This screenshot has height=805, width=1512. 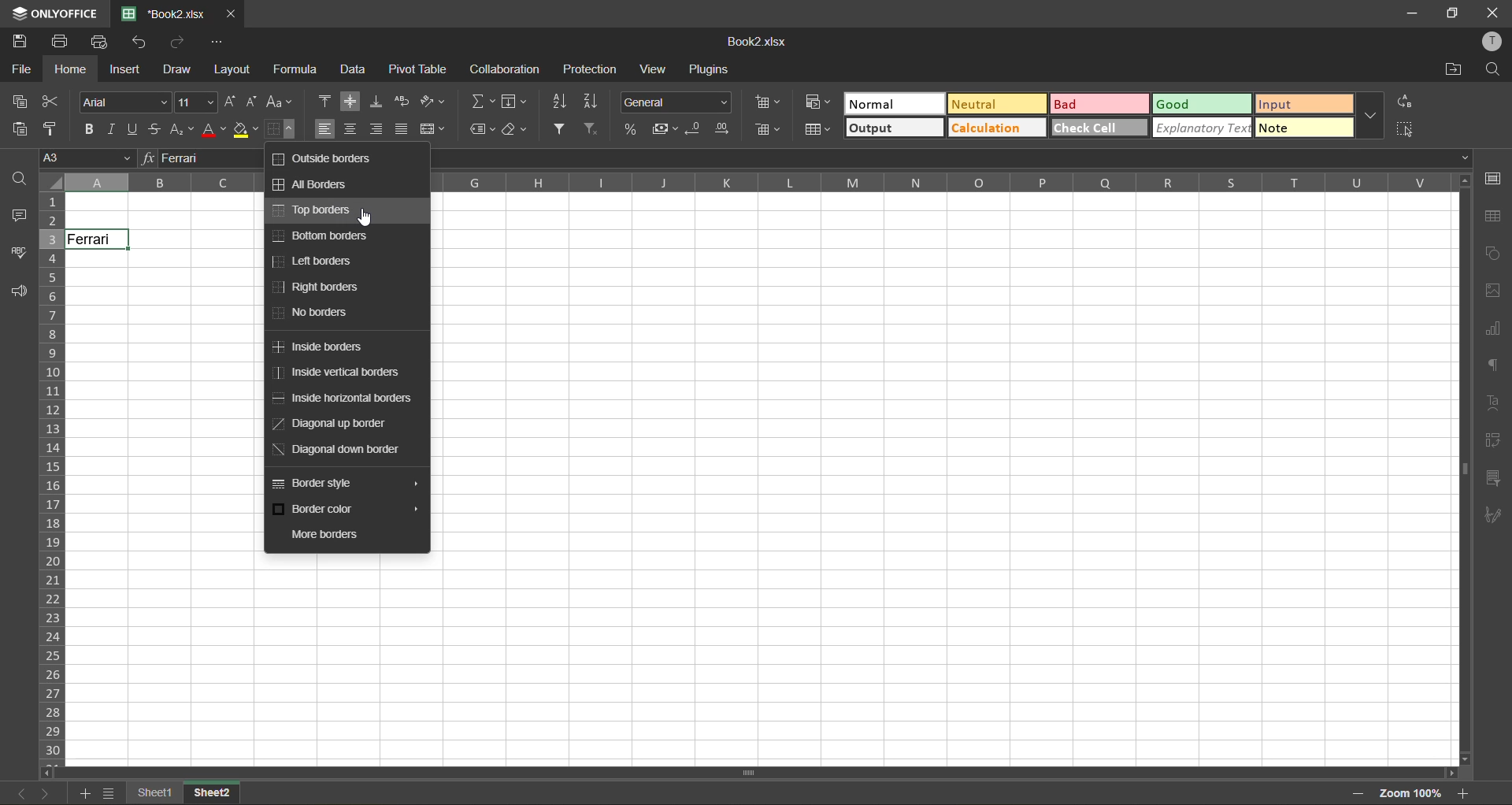 What do you see at coordinates (1458, 793) in the screenshot?
I see `zoom in` at bounding box center [1458, 793].